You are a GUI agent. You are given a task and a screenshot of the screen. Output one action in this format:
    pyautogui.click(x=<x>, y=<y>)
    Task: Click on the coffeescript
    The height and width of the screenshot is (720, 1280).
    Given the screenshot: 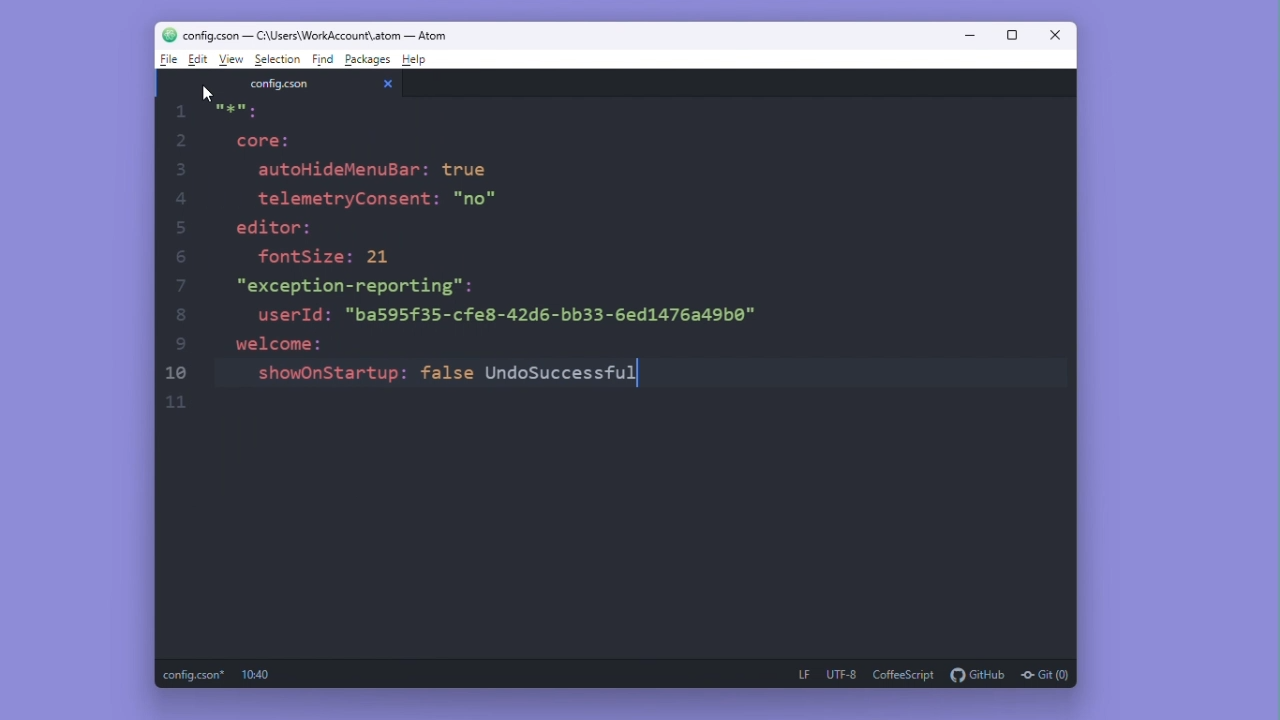 What is the action you would take?
    pyautogui.click(x=903, y=673)
    